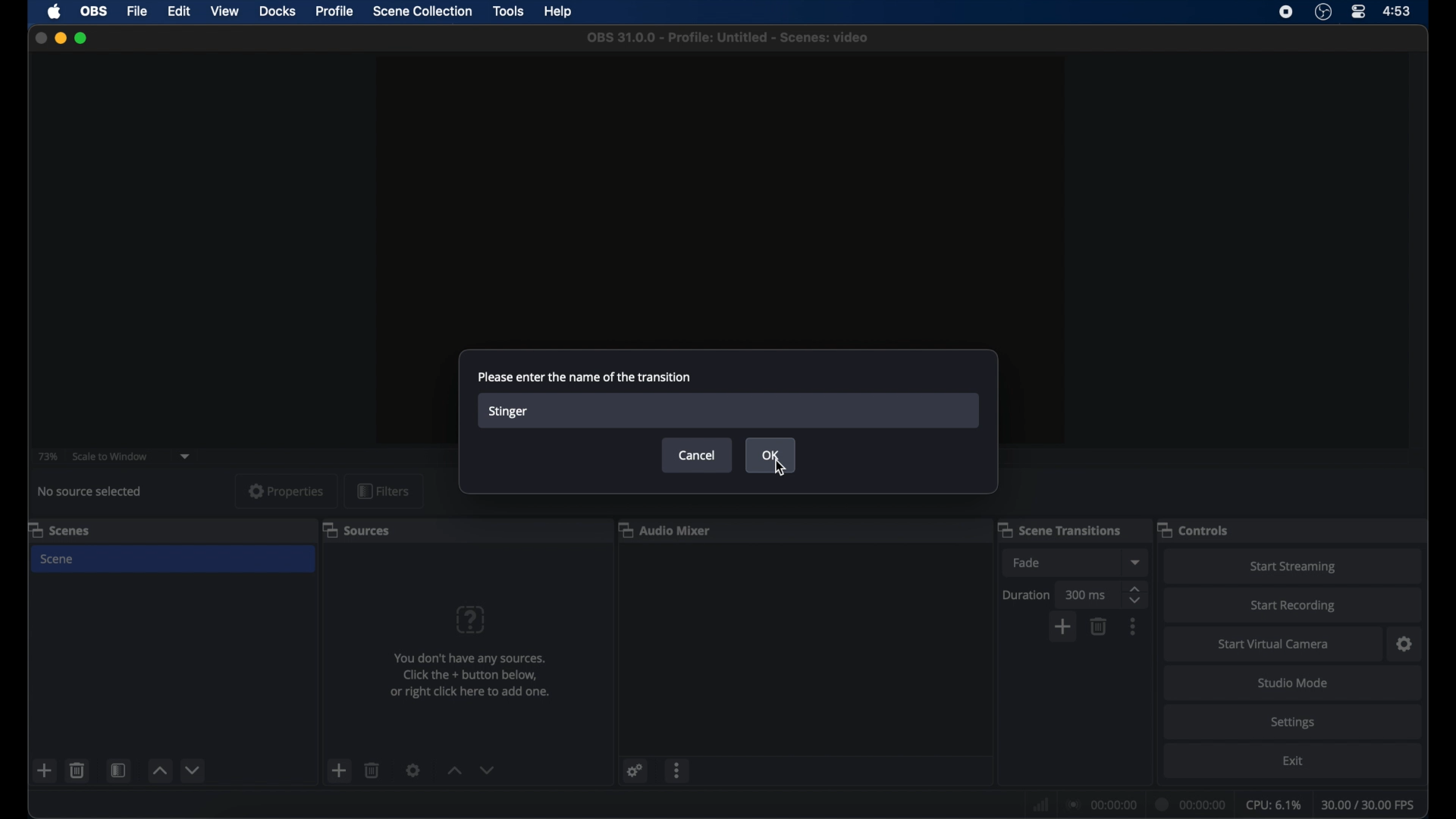 This screenshot has height=819, width=1456. I want to click on question mark, so click(472, 620).